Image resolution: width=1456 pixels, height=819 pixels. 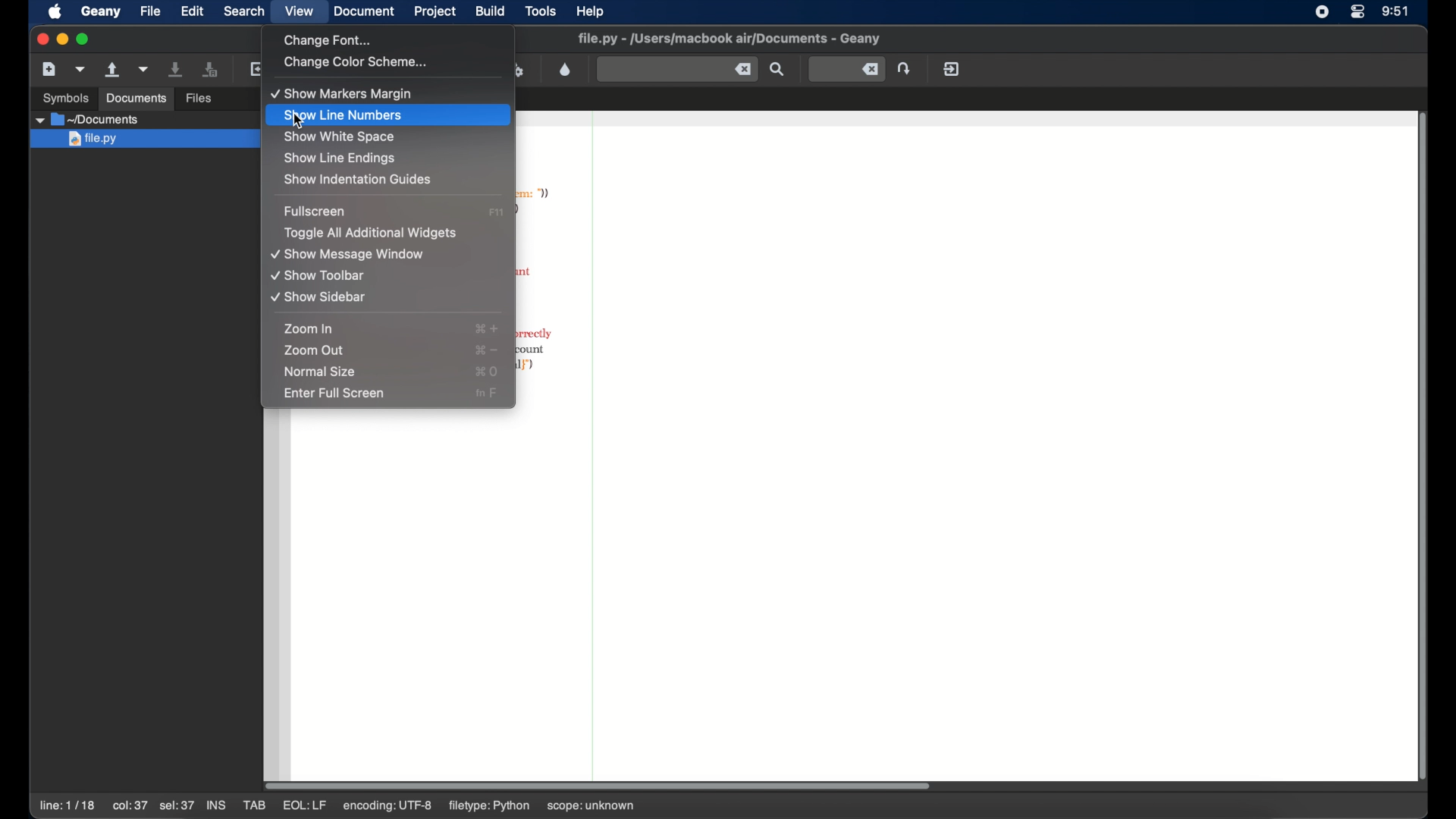 I want to click on enter full screen, so click(x=333, y=393).